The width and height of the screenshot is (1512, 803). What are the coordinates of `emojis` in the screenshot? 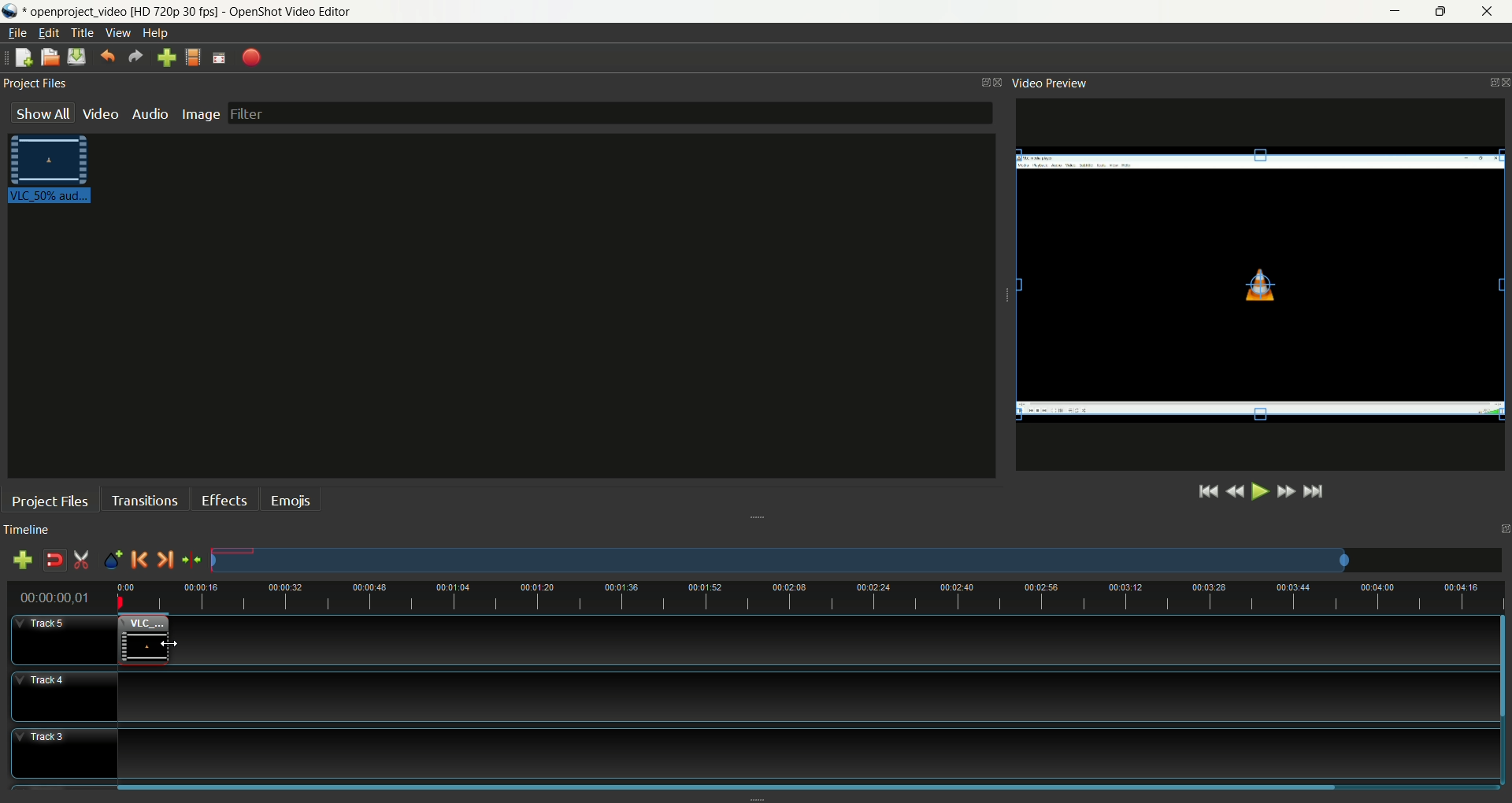 It's located at (291, 500).